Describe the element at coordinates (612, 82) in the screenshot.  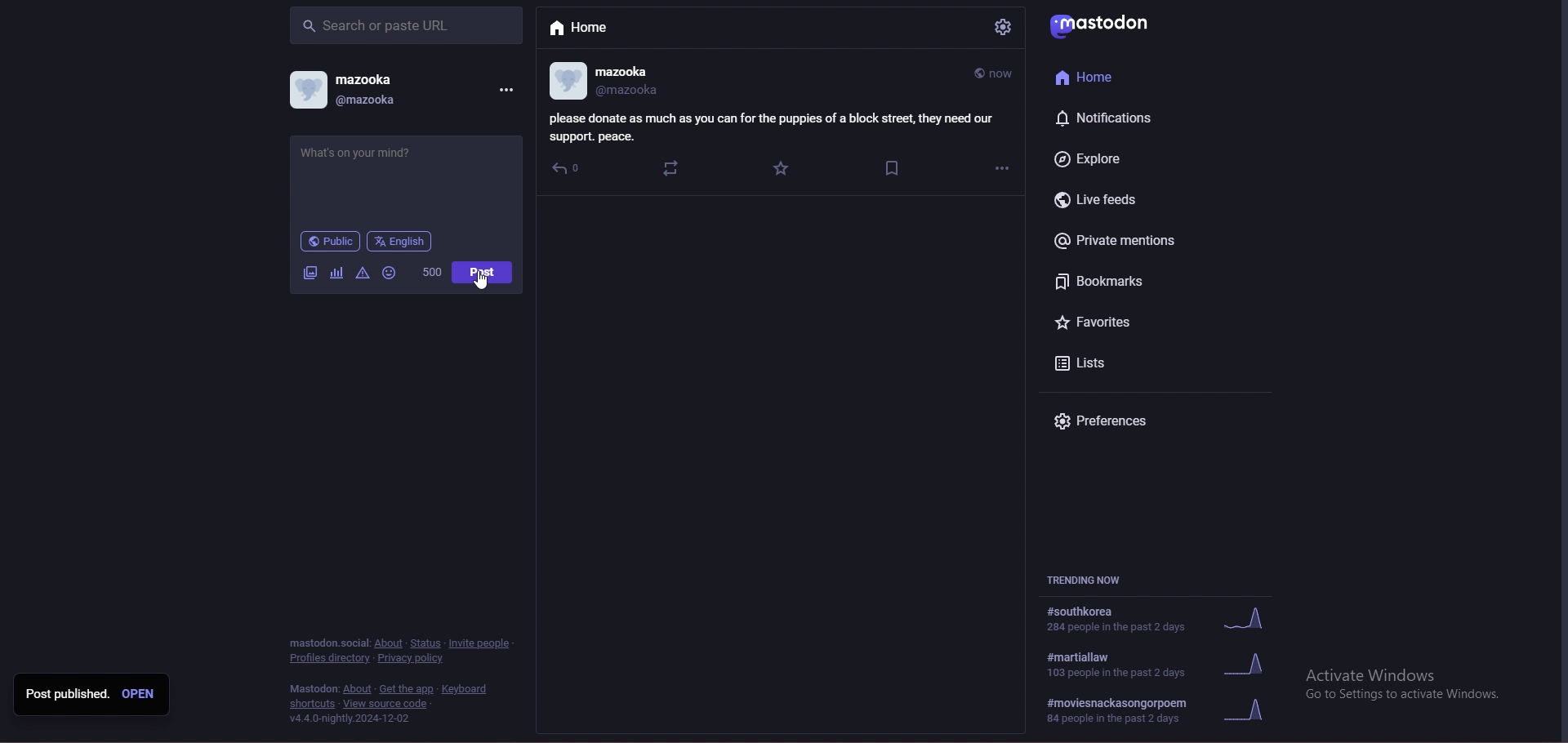
I see `profile` at that location.